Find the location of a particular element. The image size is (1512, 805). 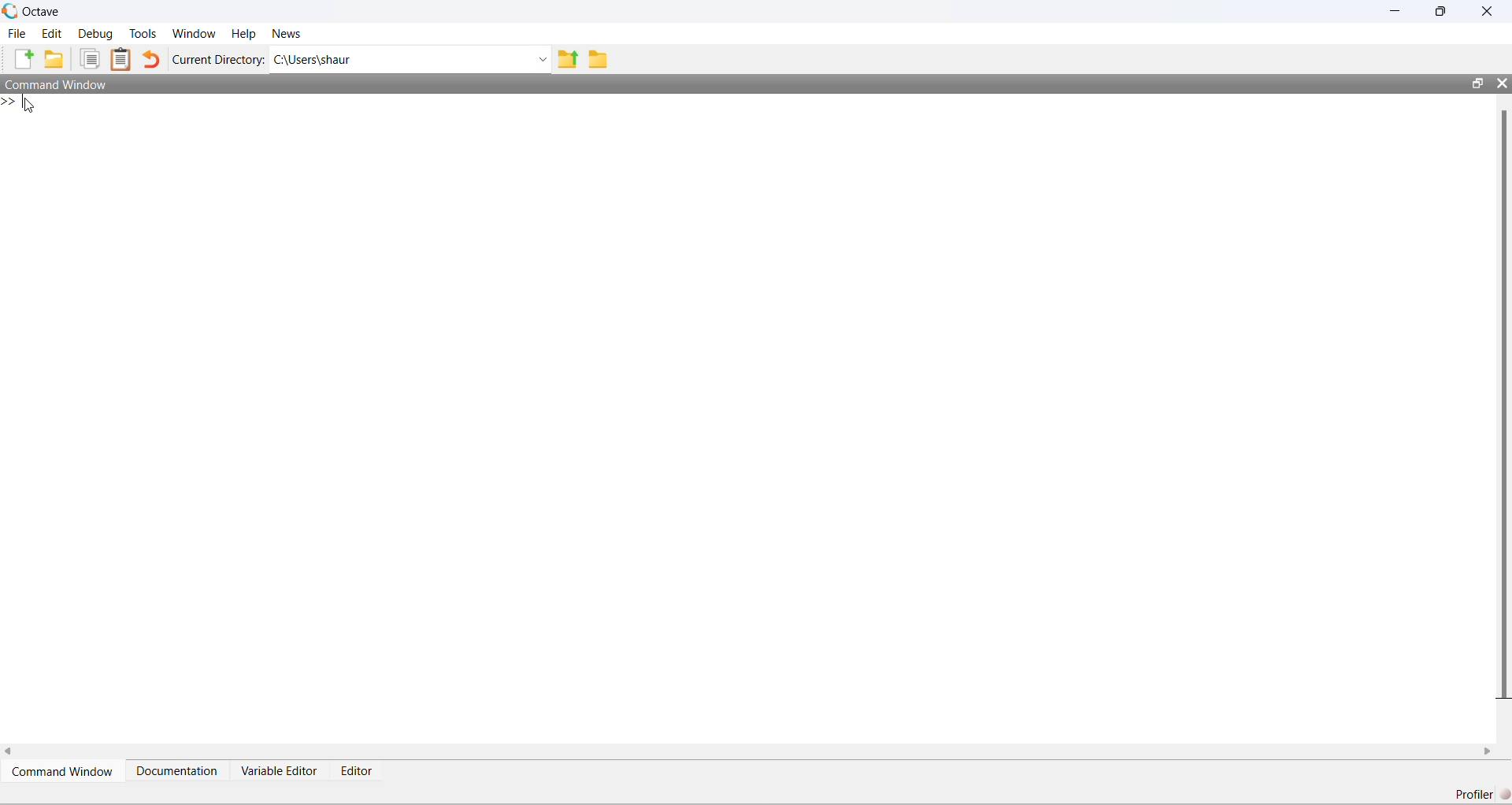

New script is located at coordinates (21, 59).